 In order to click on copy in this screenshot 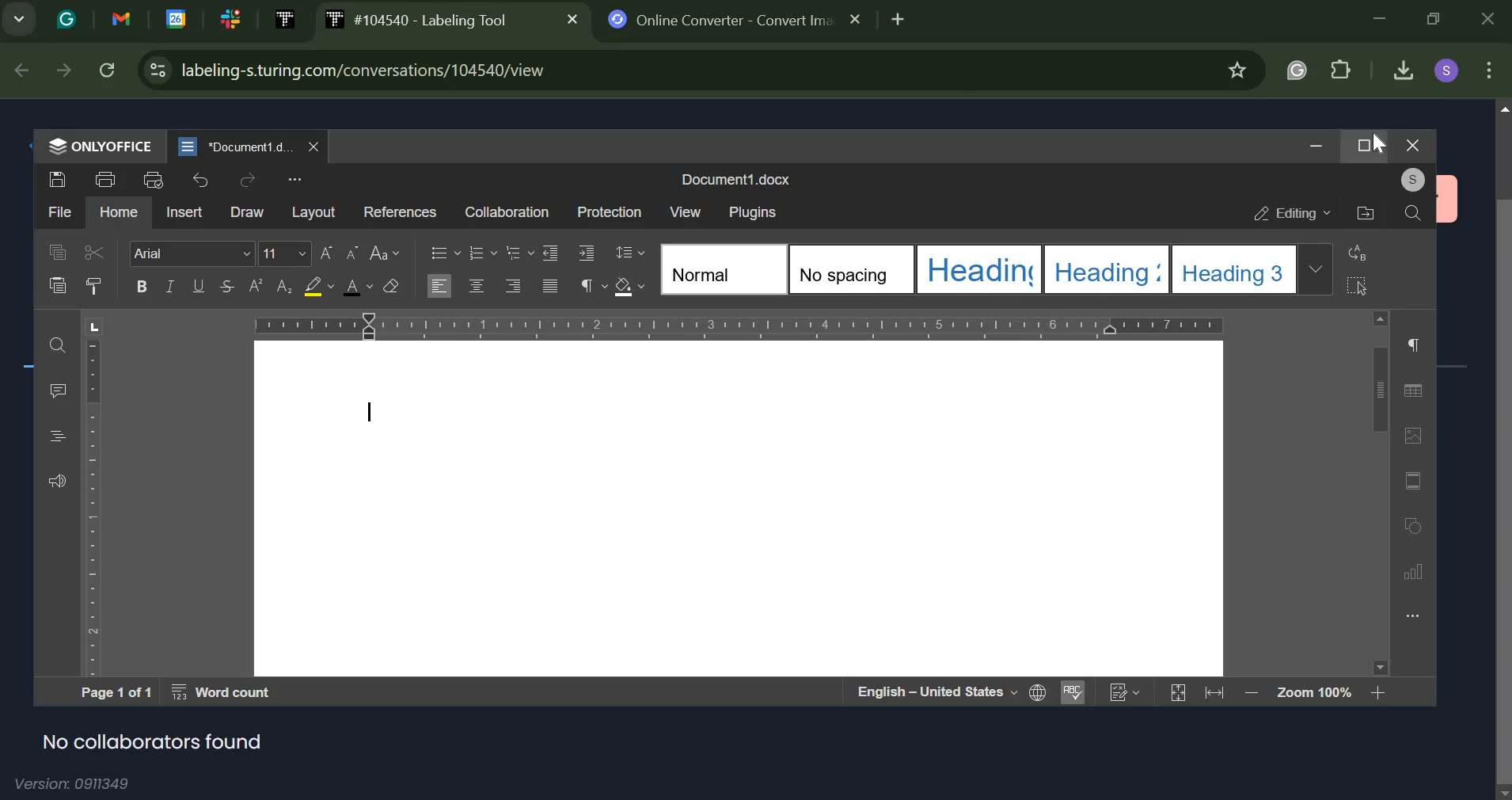, I will do `click(57, 252)`.